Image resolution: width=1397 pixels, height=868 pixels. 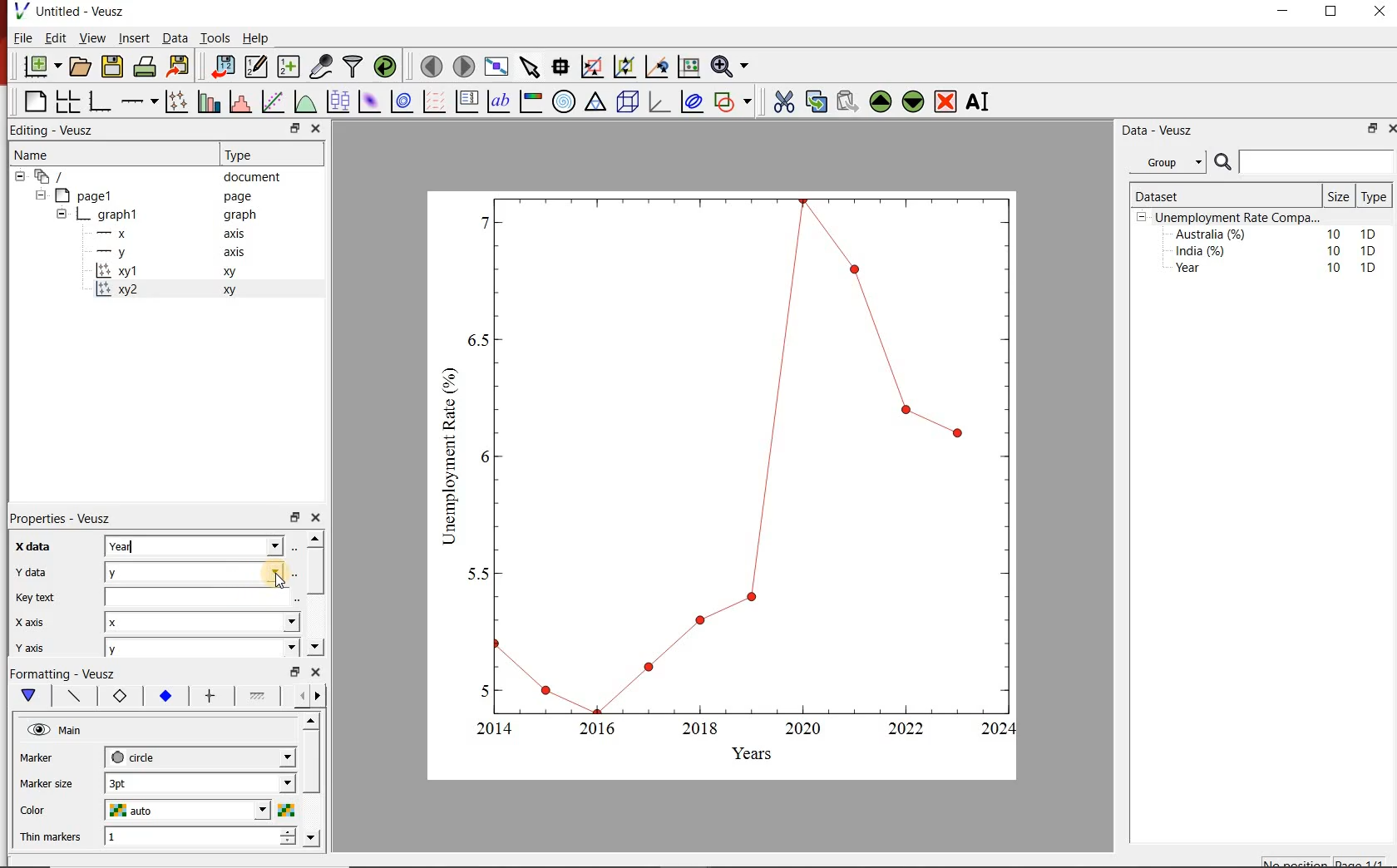 What do you see at coordinates (981, 101) in the screenshot?
I see `rename the widgets` at bounding box center [981, 101].